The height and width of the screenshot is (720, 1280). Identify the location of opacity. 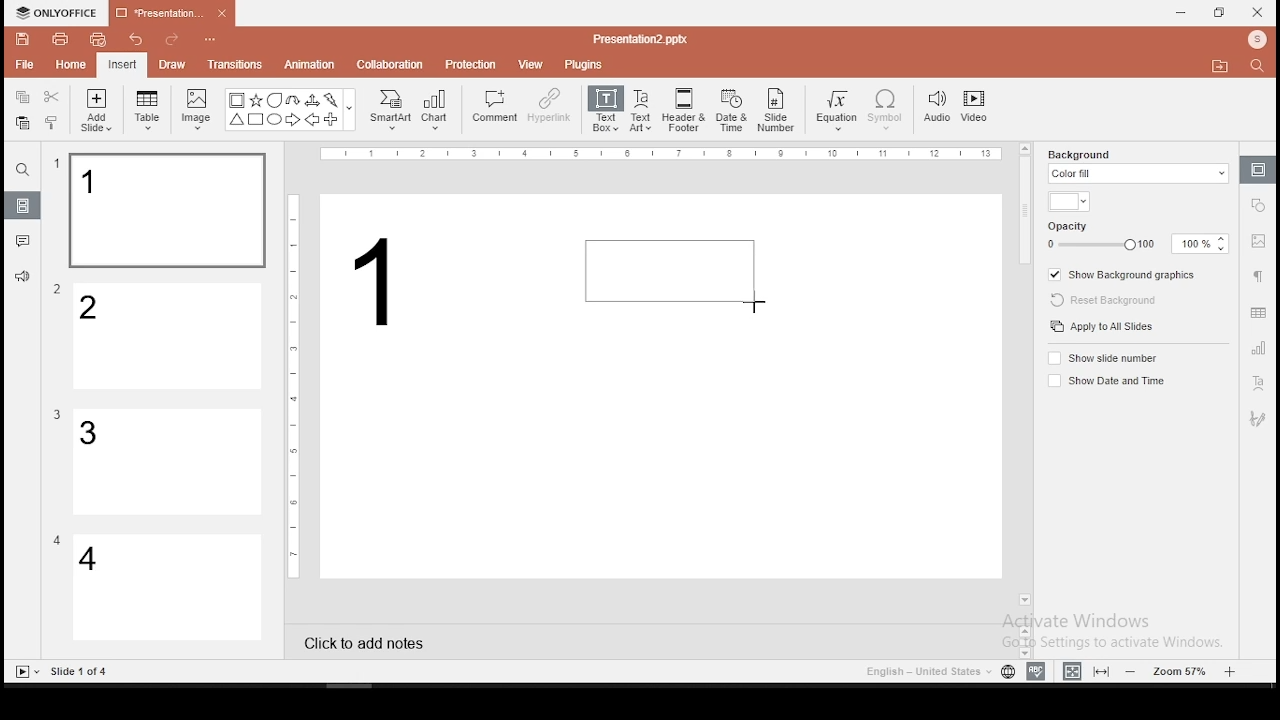
(1138, 237).